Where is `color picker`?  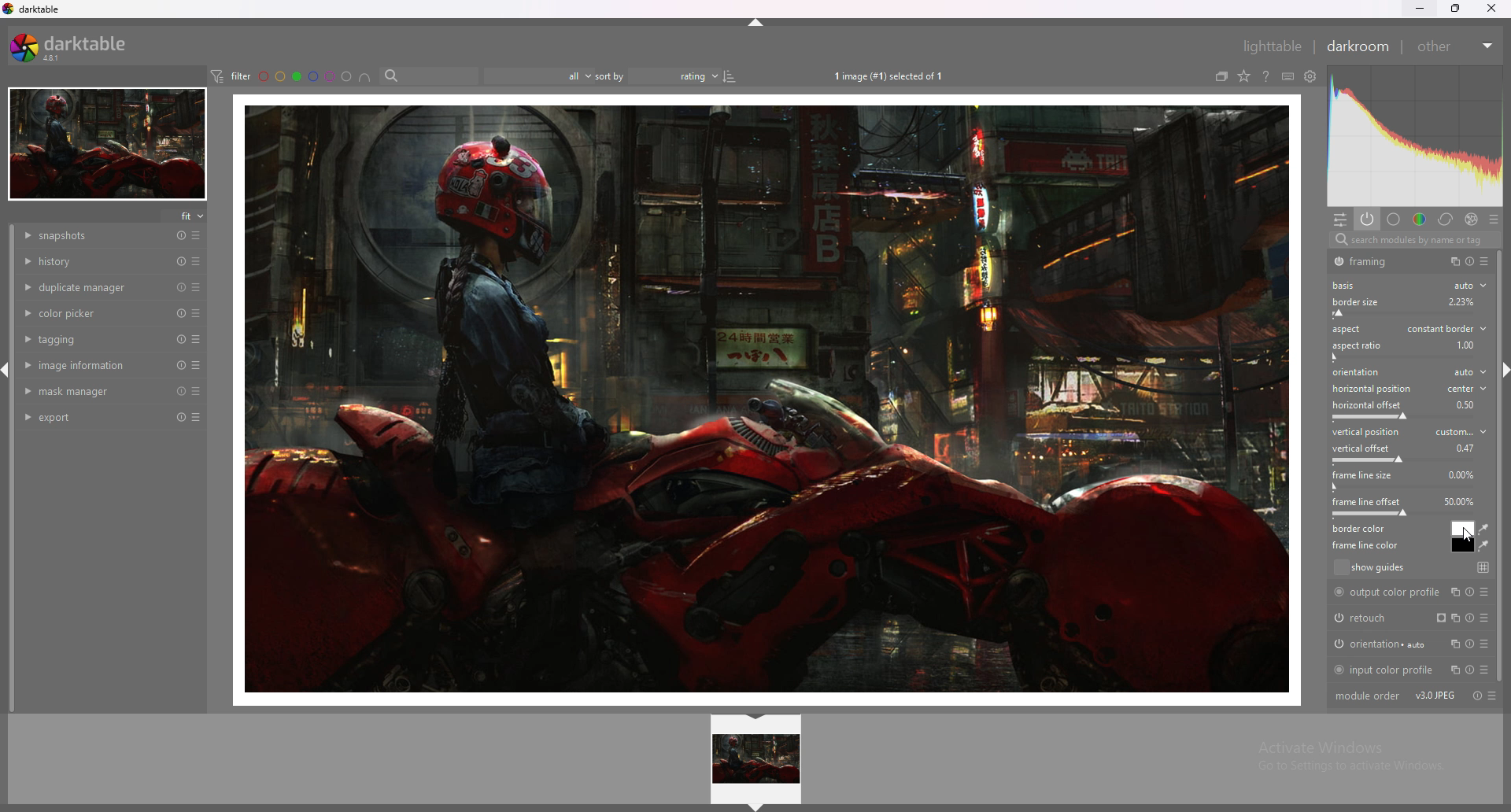
color picker is located at coordinates (94, 312).